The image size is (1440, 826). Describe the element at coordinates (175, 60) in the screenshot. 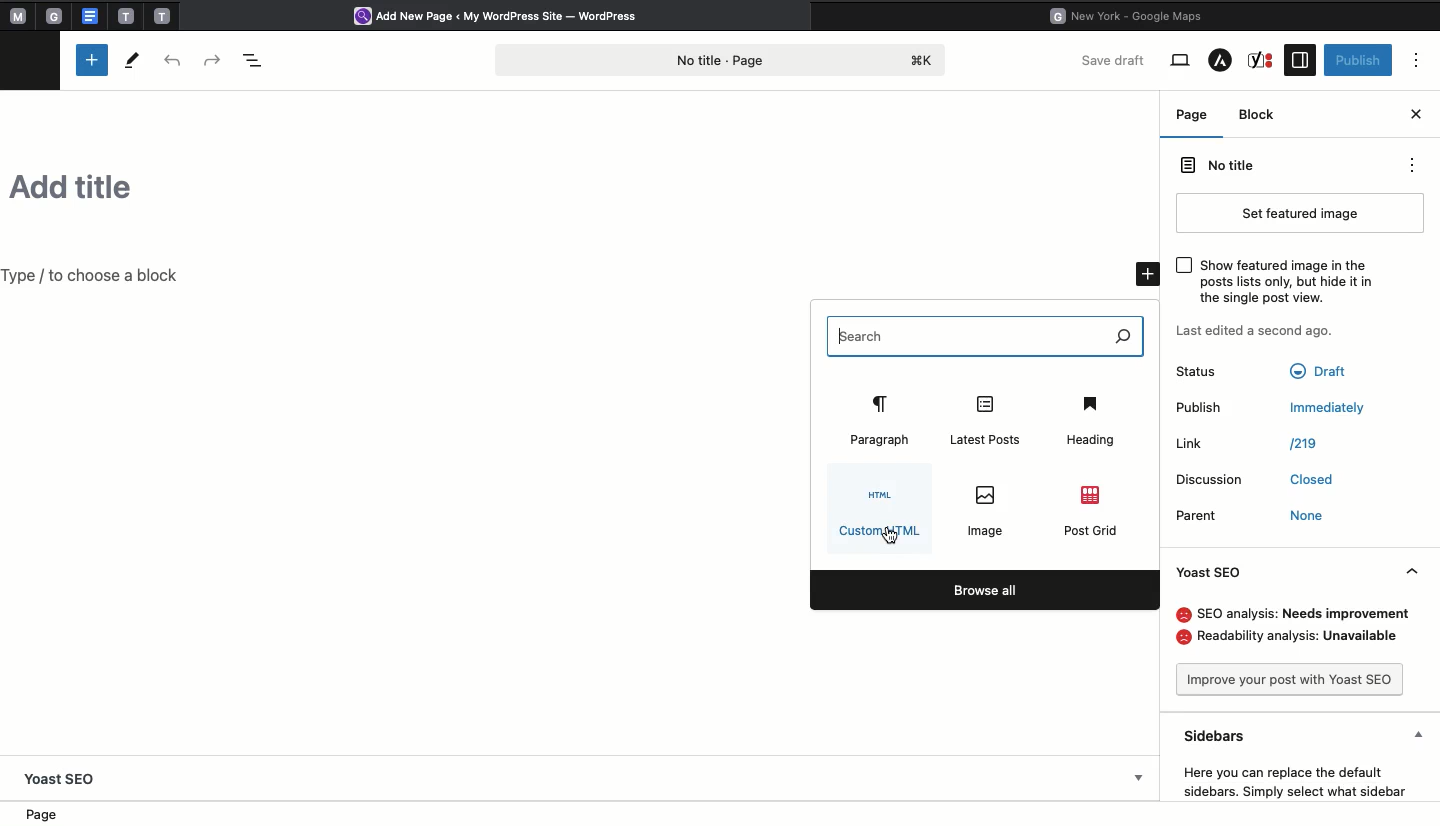

I see `Undo` at that location.